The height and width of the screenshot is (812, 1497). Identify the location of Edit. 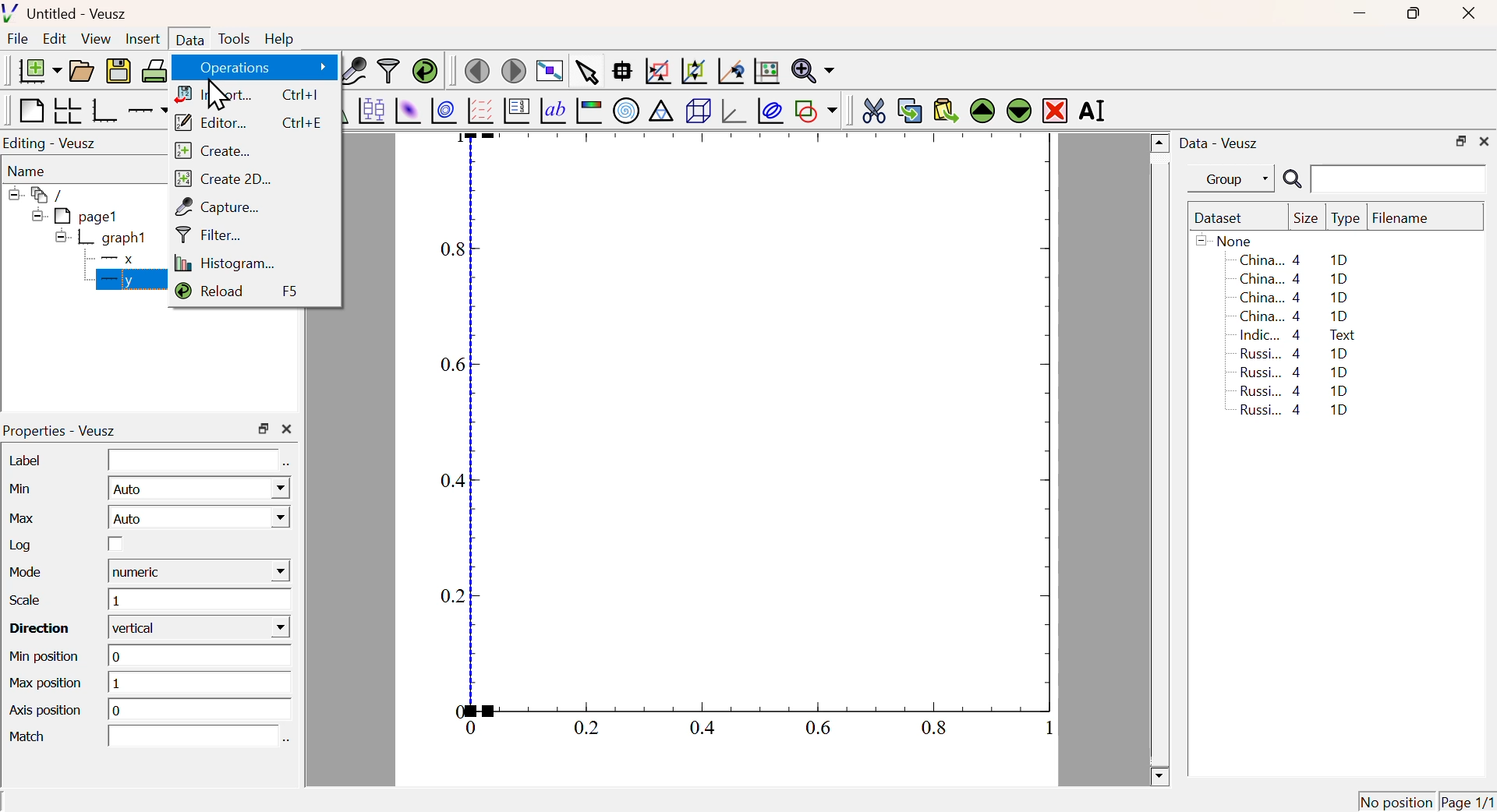
(55, 37).